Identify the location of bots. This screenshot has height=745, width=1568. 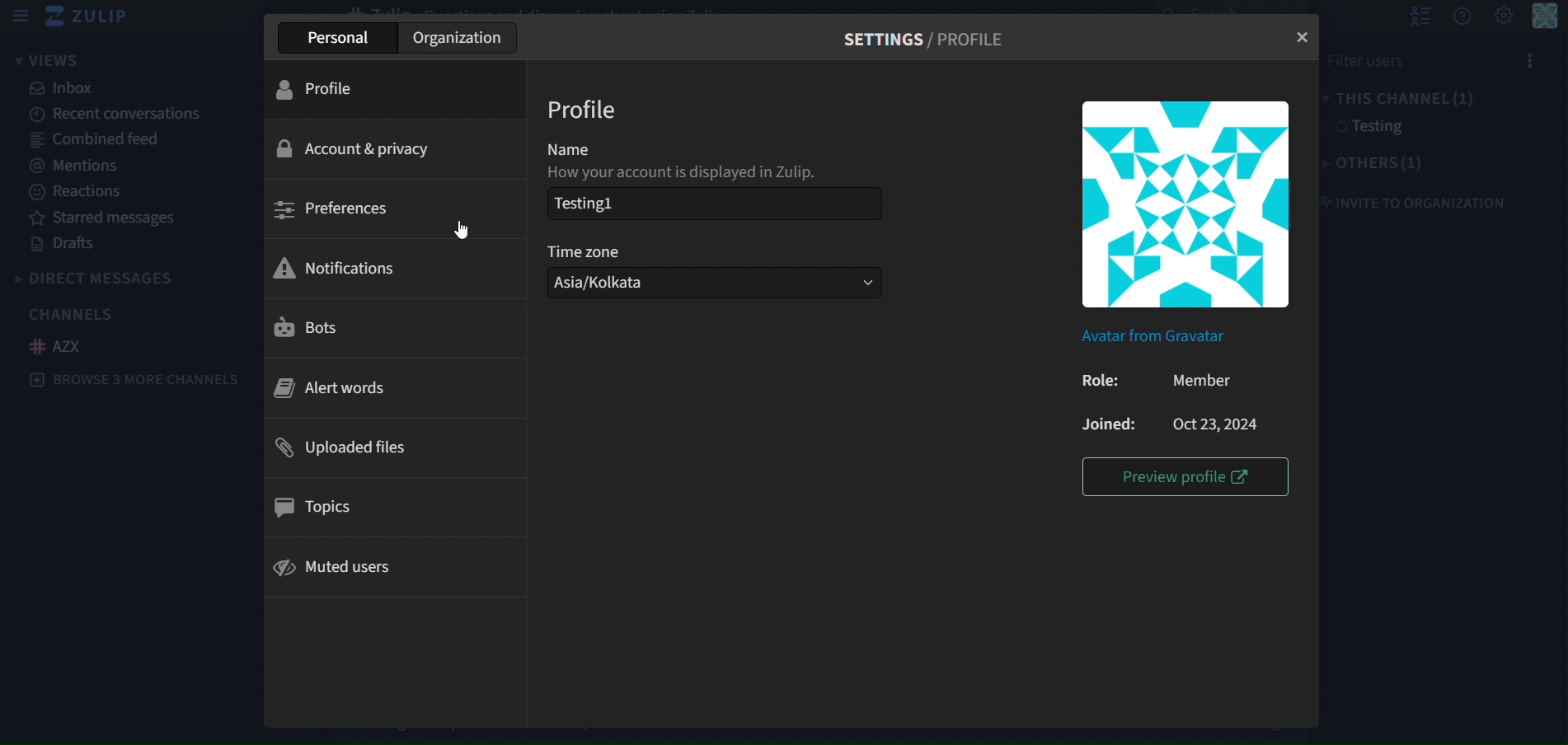
(307, 329).